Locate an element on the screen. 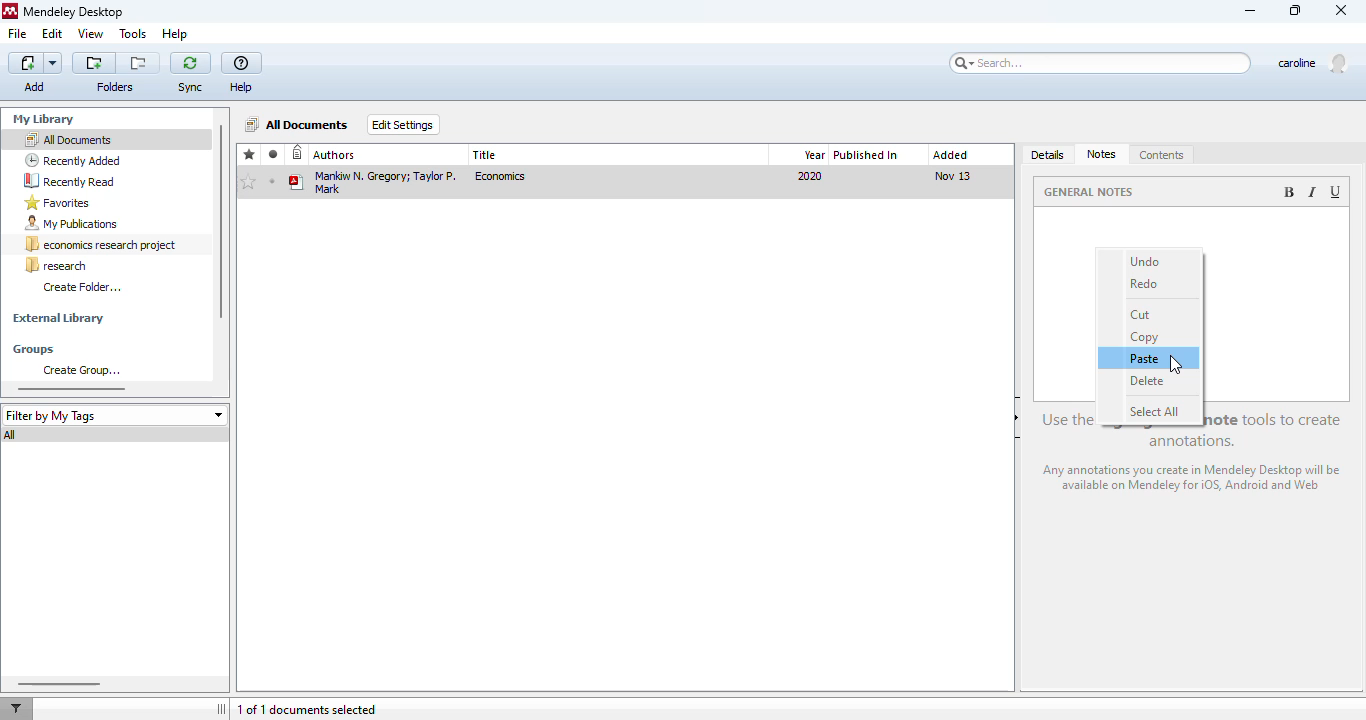  logo is located at coordinates (10, 11).